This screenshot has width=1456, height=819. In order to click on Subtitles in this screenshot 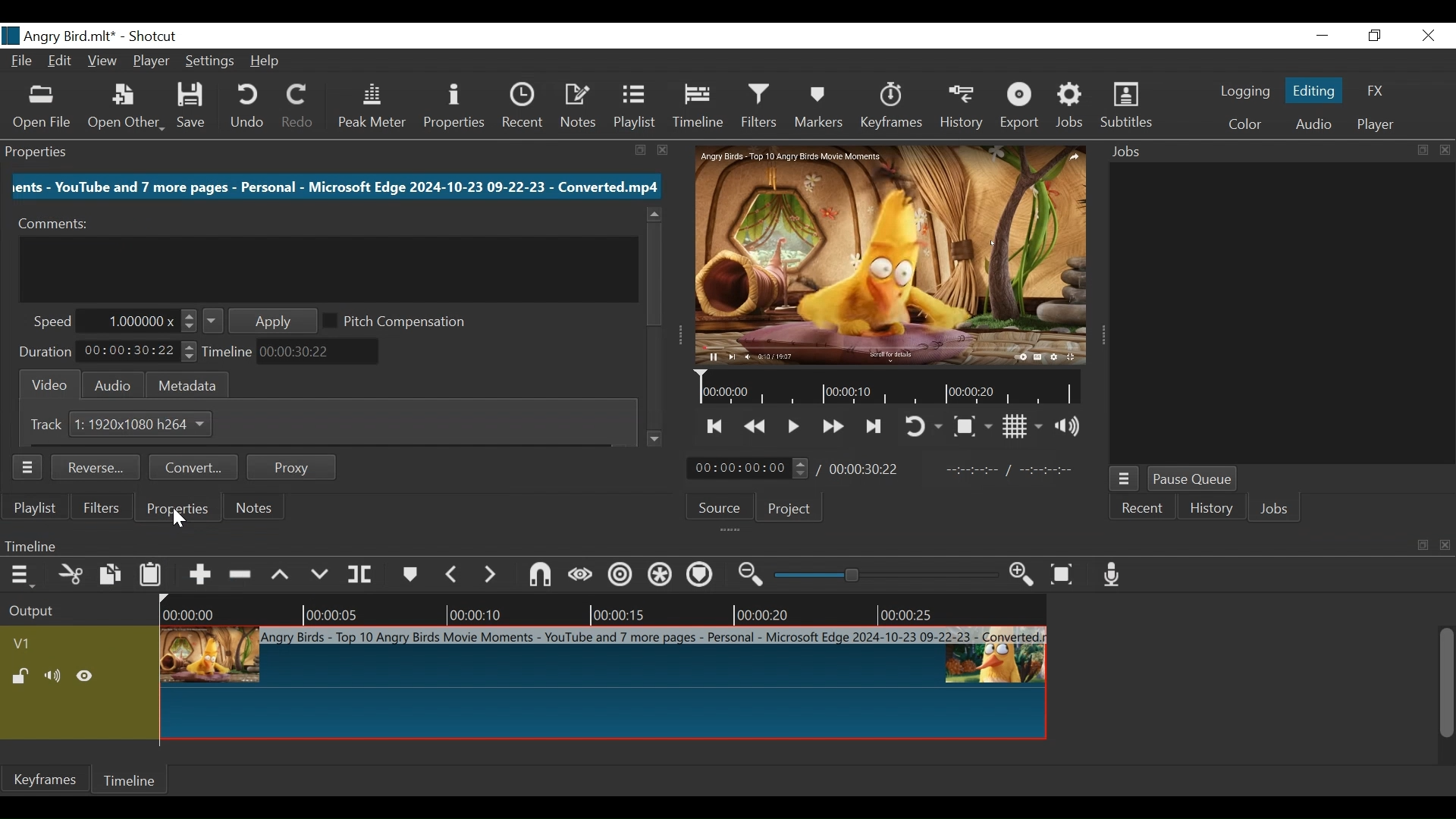, I will do `click(1129, 107)`.